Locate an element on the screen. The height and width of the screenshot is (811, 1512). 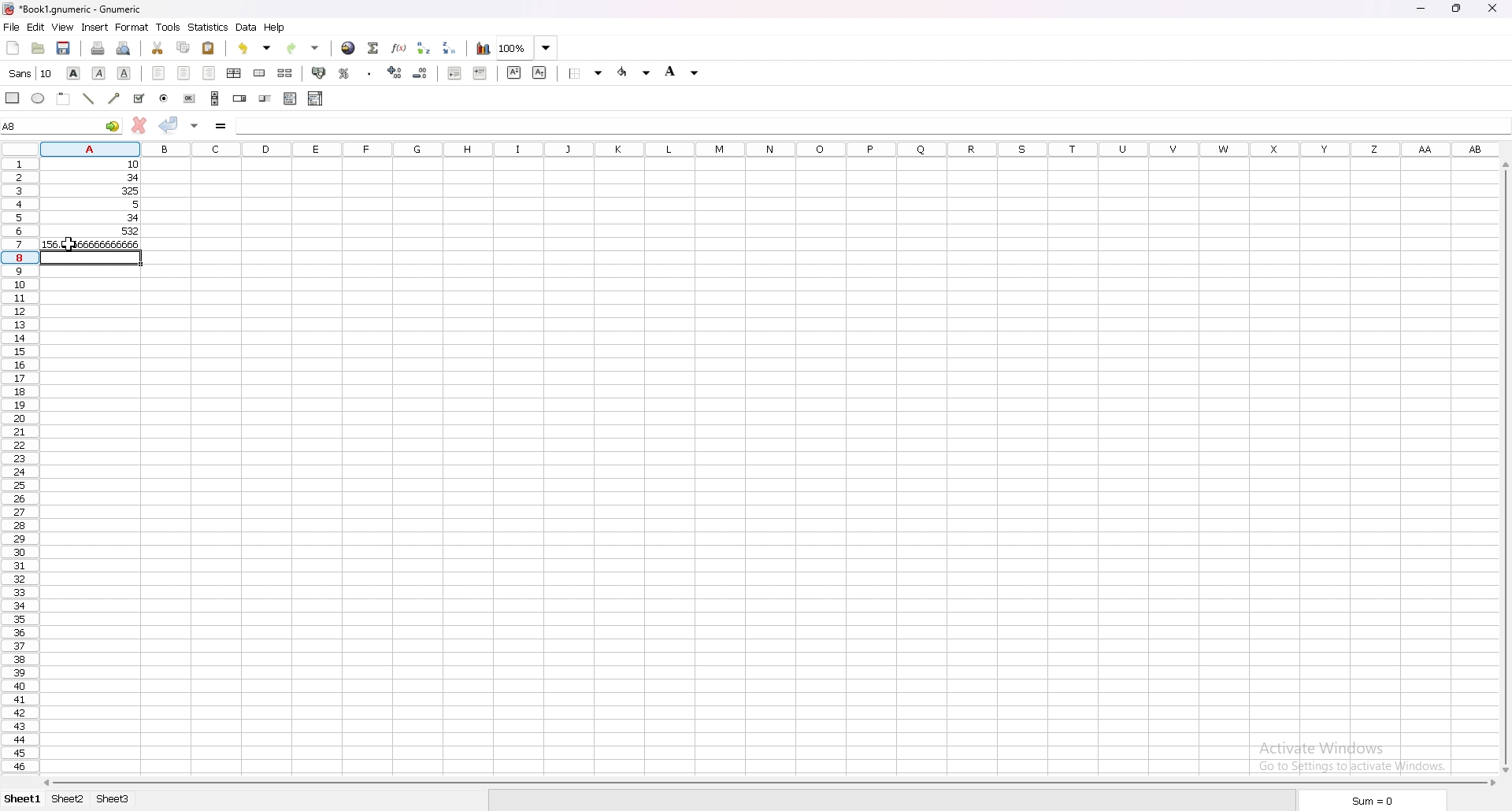
close is located at coordinates (1492, 9).